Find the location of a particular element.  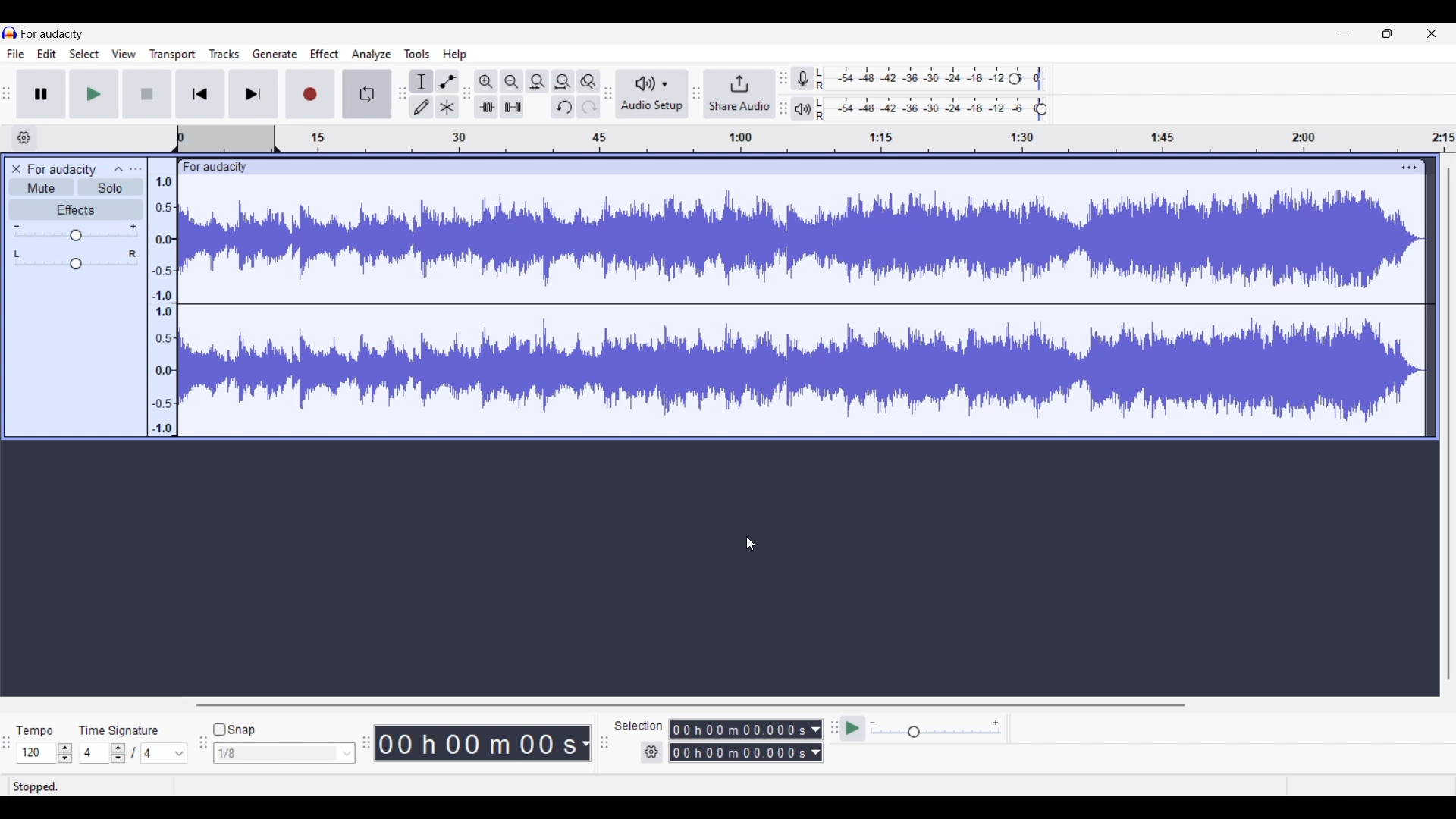

Stop is located at coordinates (148, 93).